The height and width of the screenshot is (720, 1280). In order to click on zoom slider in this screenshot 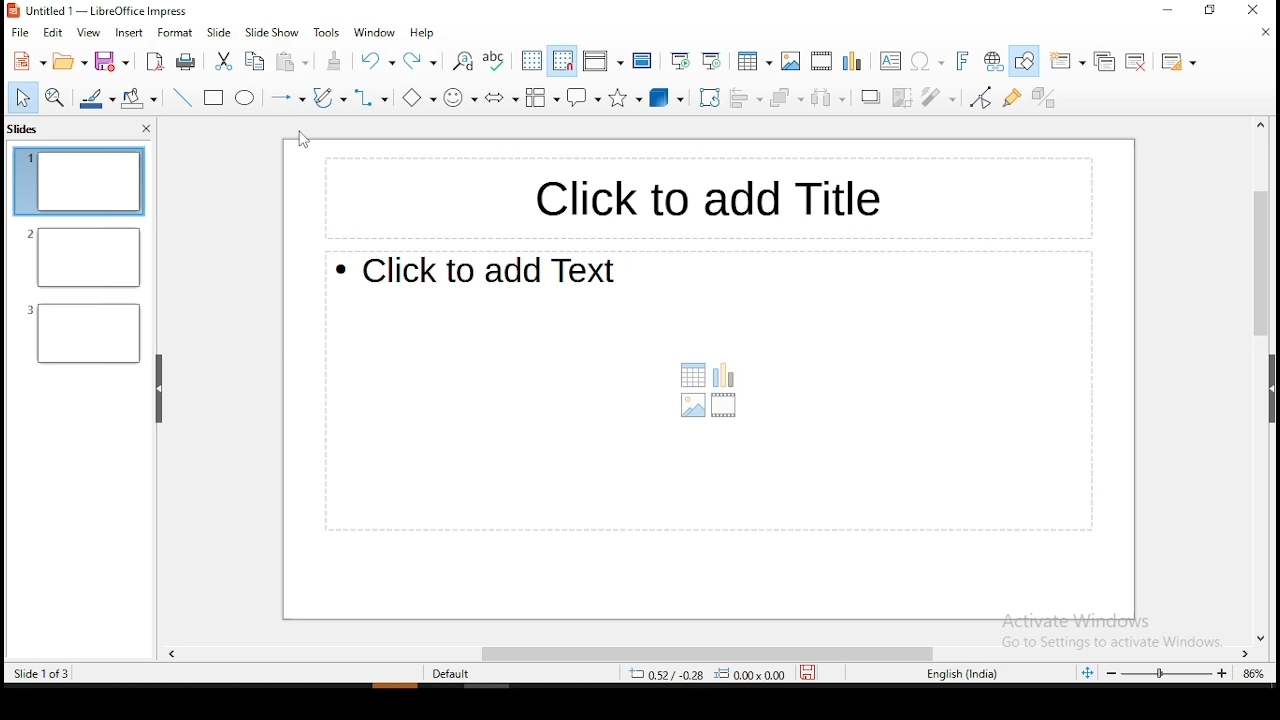, I will do `click(1169, 676)`.